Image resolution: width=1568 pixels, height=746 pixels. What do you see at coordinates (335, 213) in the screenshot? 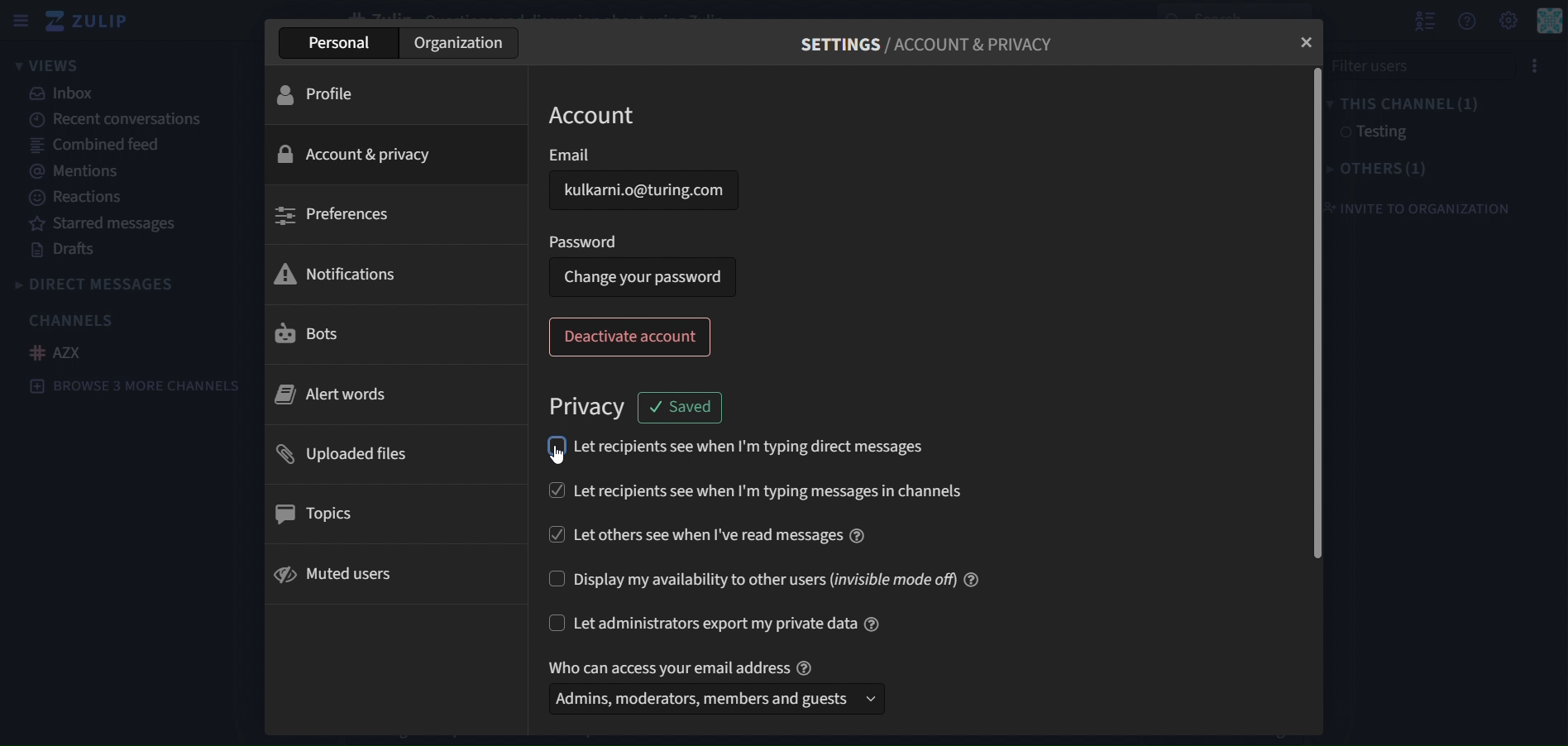
I see `preferences` at bounding box center [335, 213].